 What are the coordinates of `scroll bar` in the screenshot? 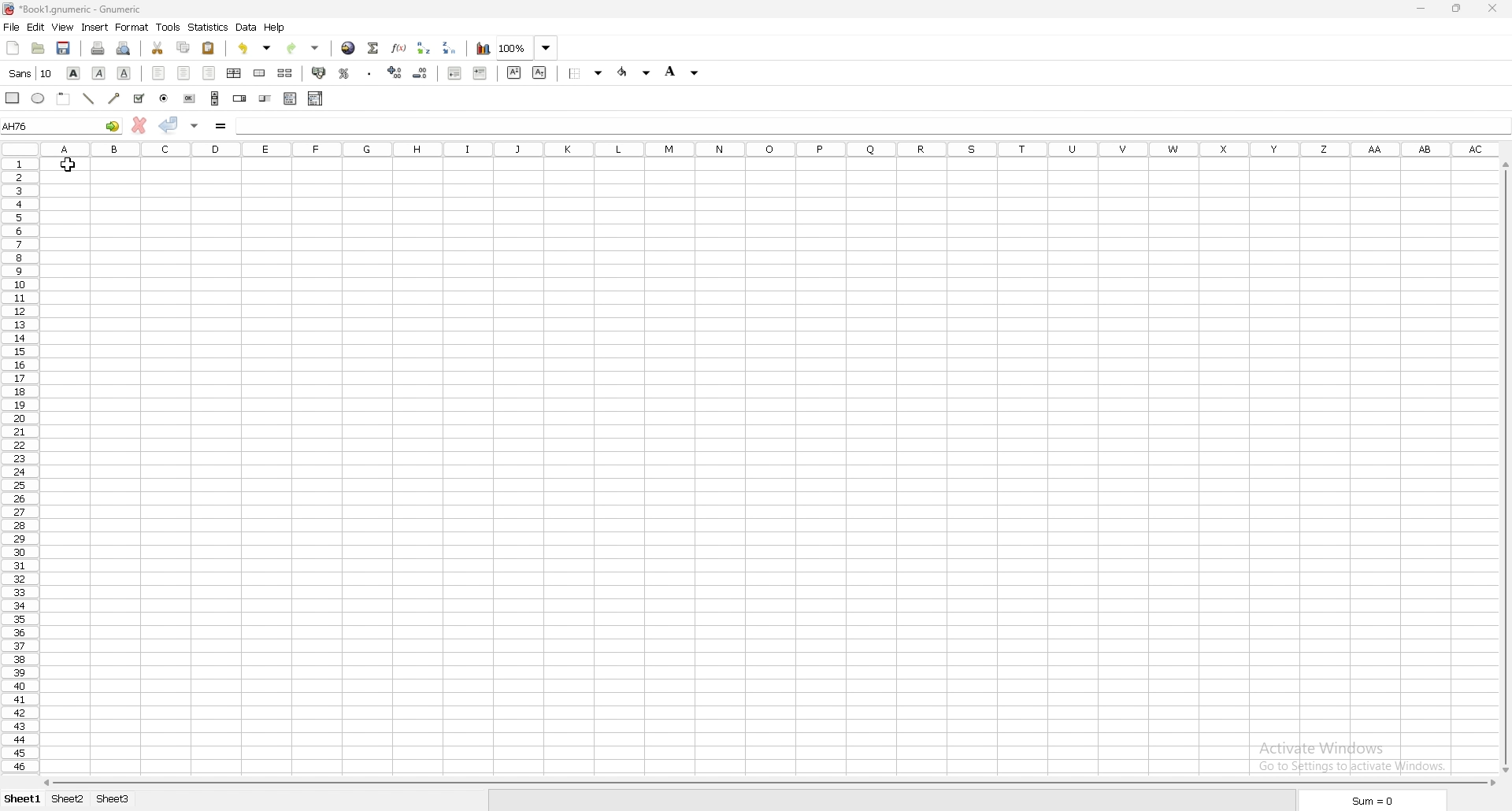 It's located at (1506, 466).